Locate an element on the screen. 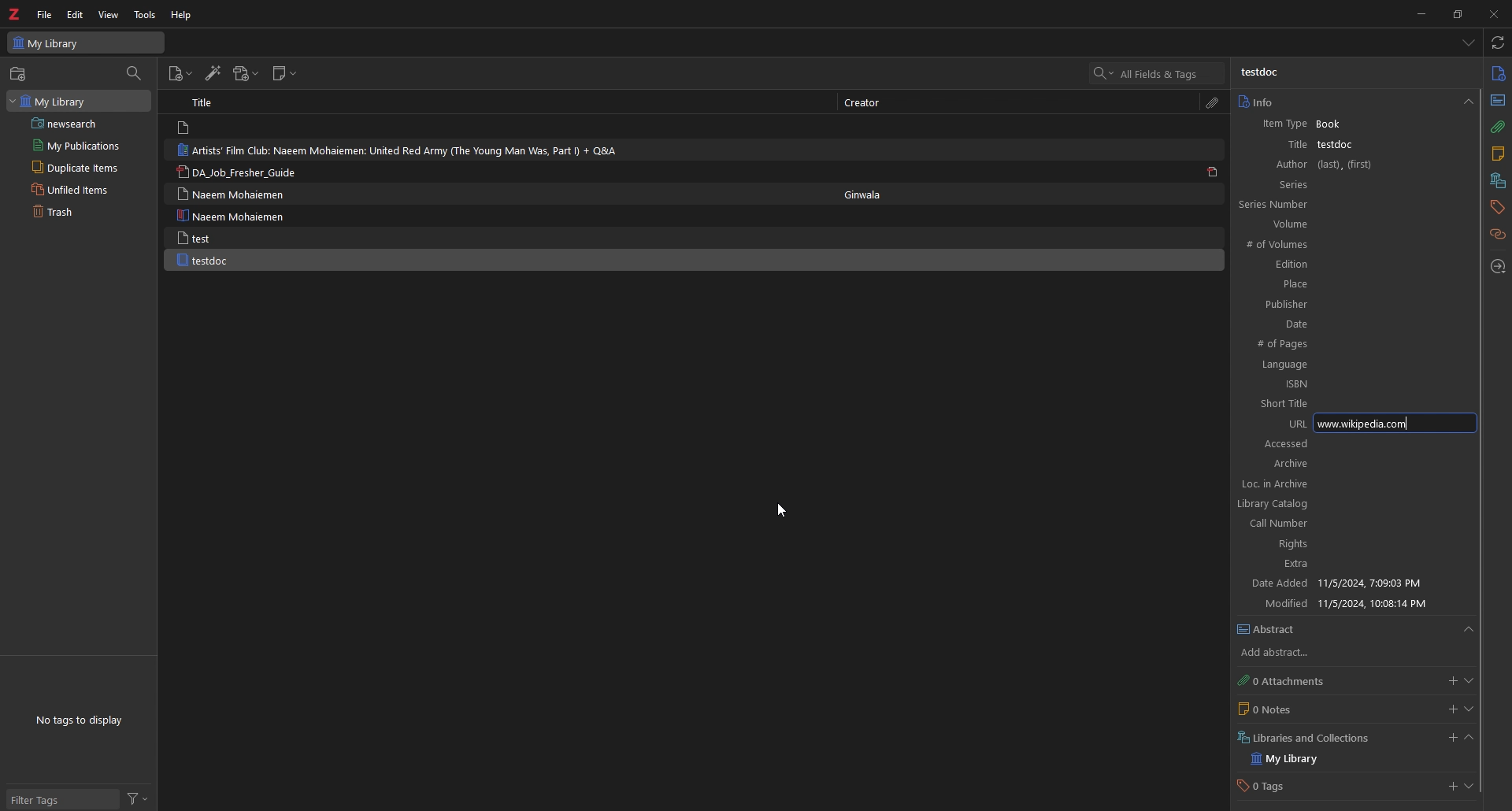 This screenshot has height=811, width=1512. testdoc is located at coordinates (1340, 146).